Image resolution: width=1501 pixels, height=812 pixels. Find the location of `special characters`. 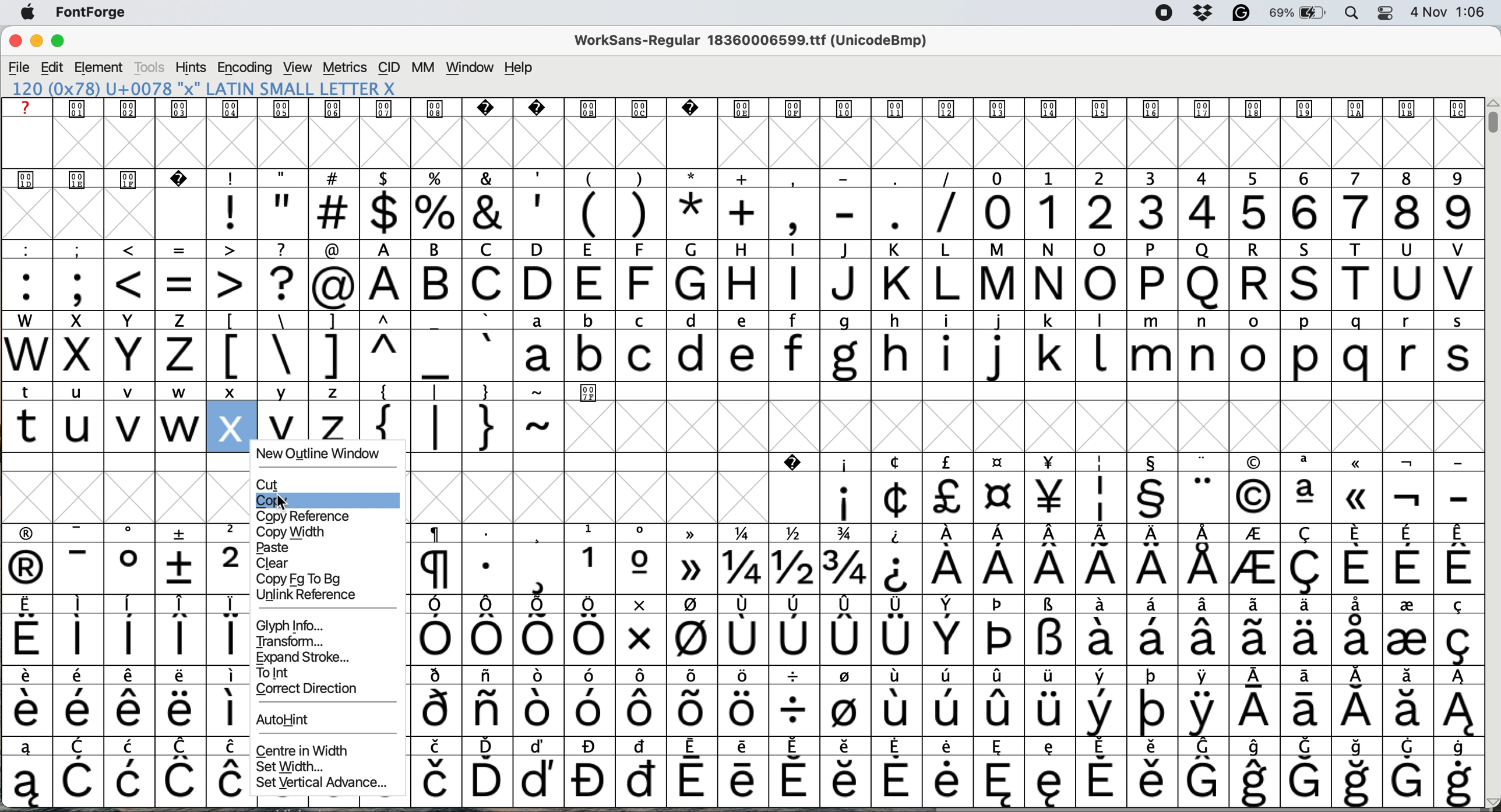

special characters is located at coordinates (942, 641).